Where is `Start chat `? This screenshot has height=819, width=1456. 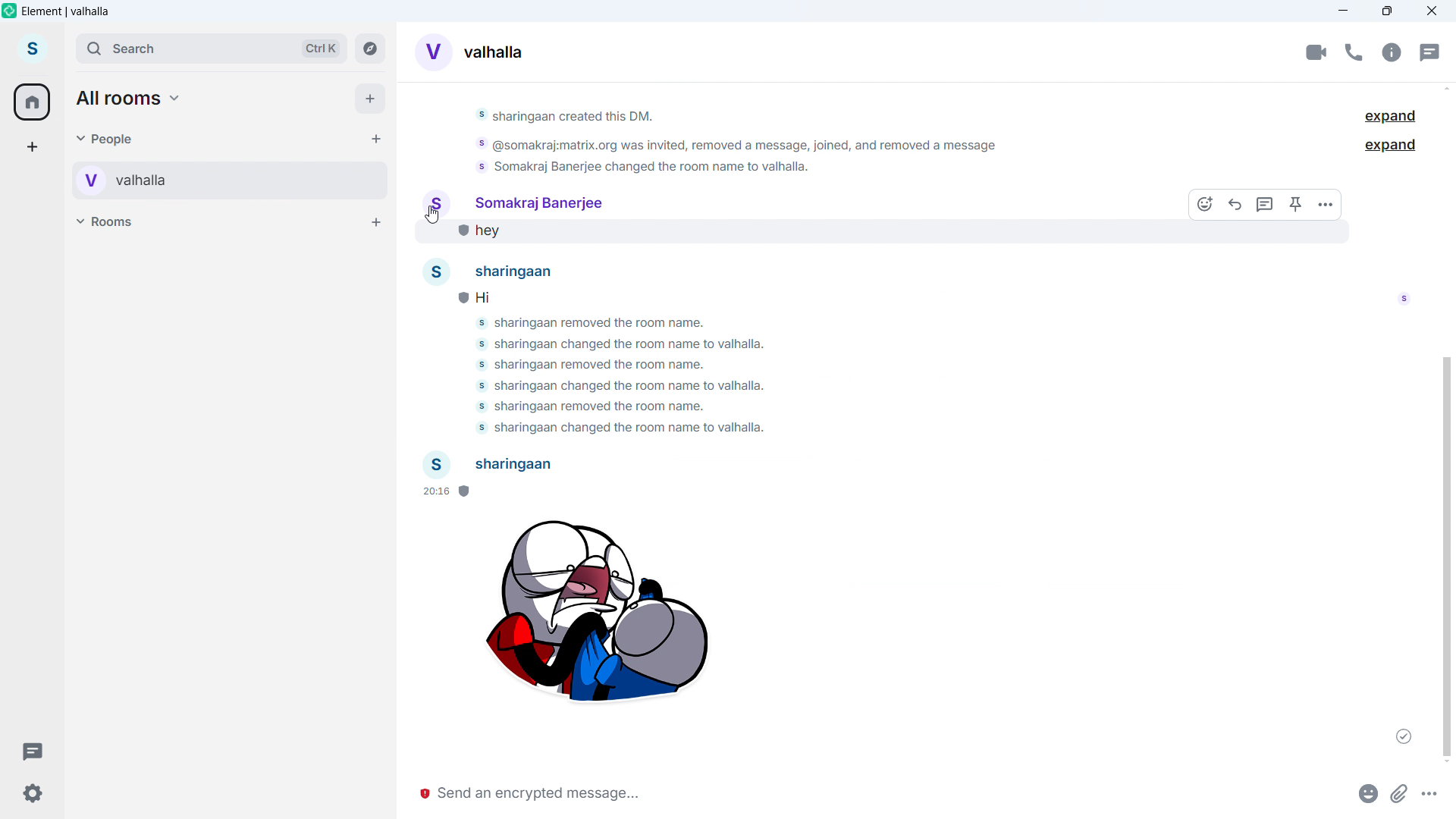
Start chat  is located at coordinates (374, 138).